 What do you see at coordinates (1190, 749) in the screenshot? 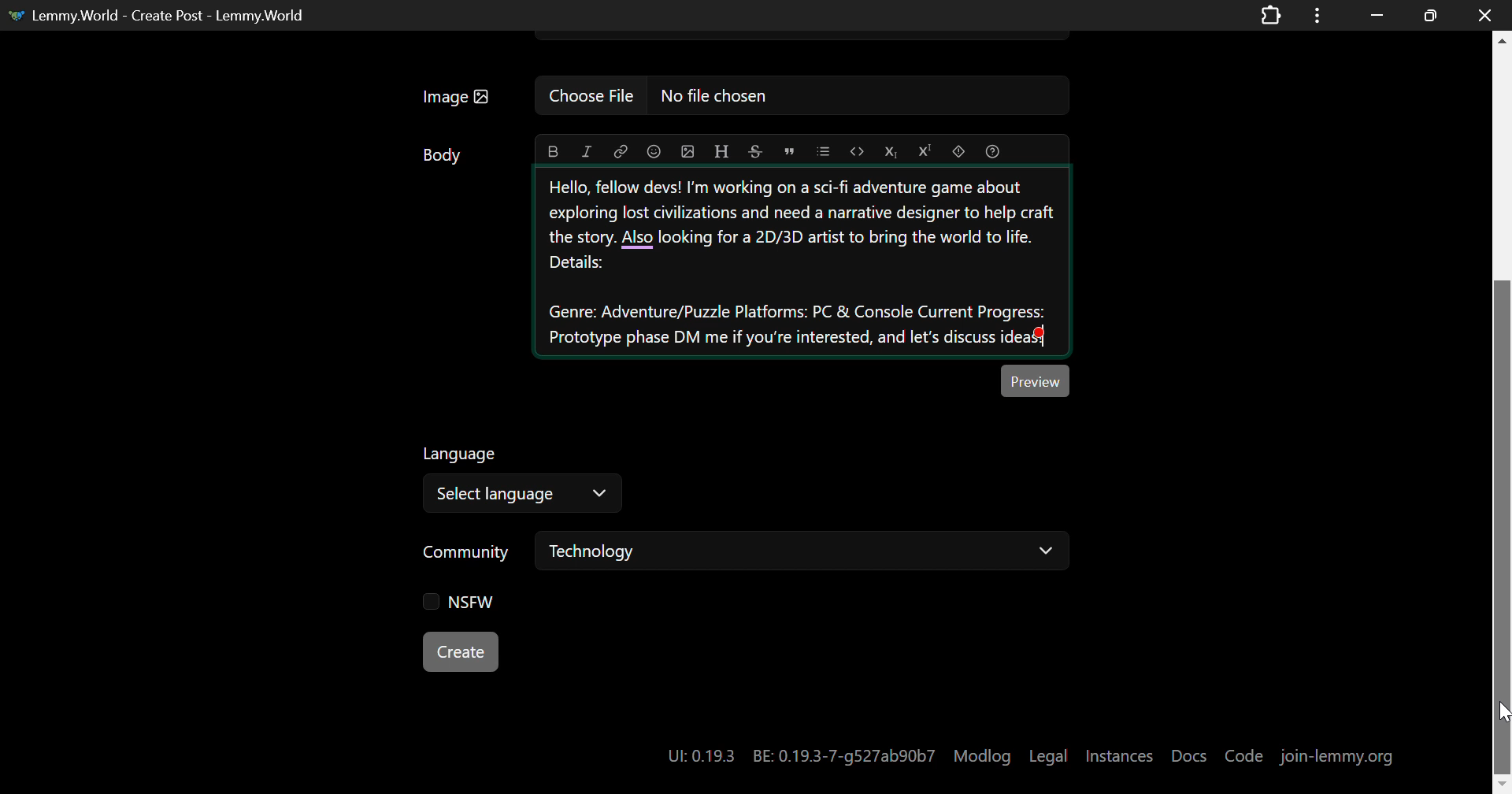
I see `Docs` at bounding box center [1190, 749].